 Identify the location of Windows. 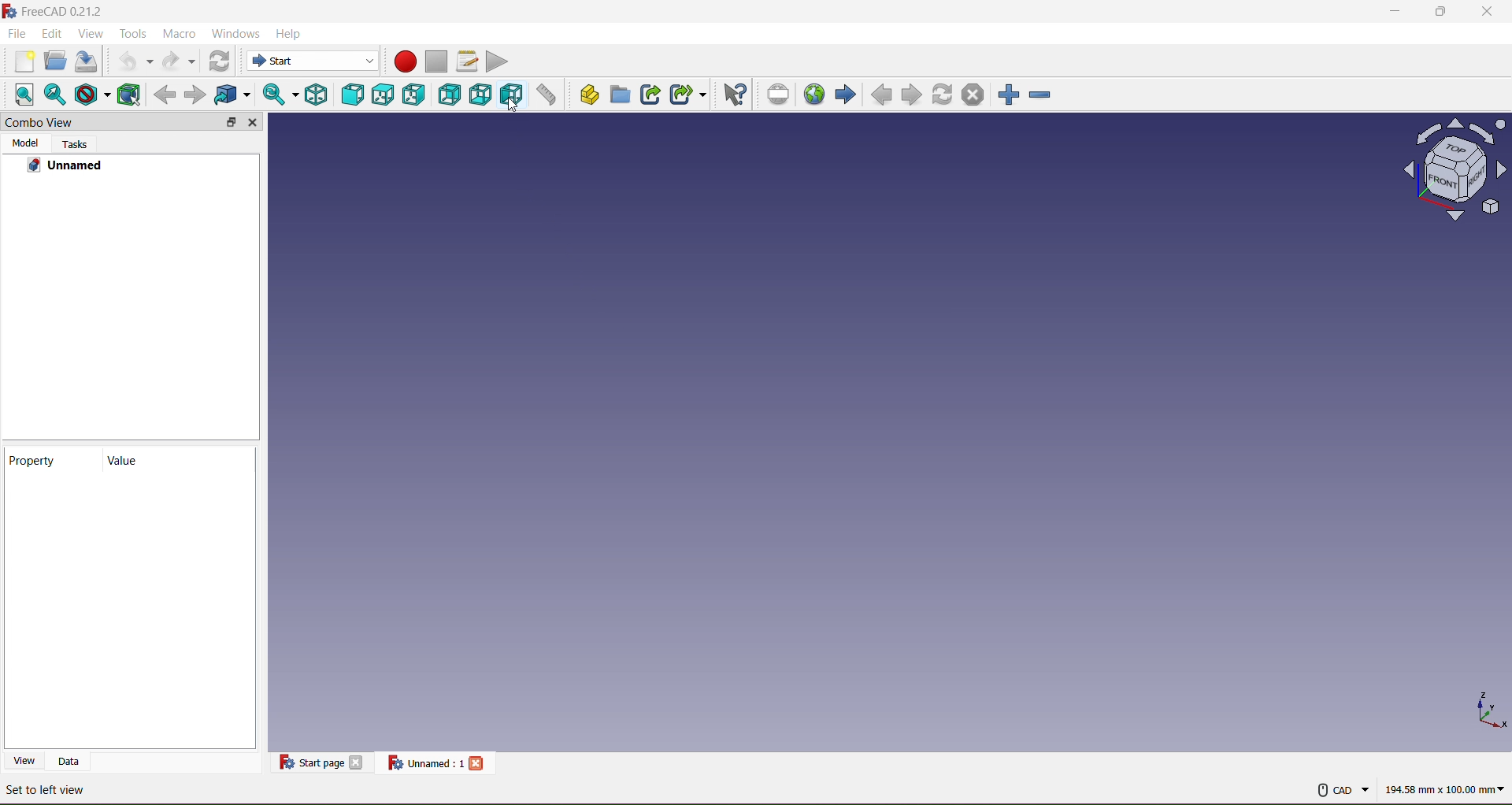
(235, 33).